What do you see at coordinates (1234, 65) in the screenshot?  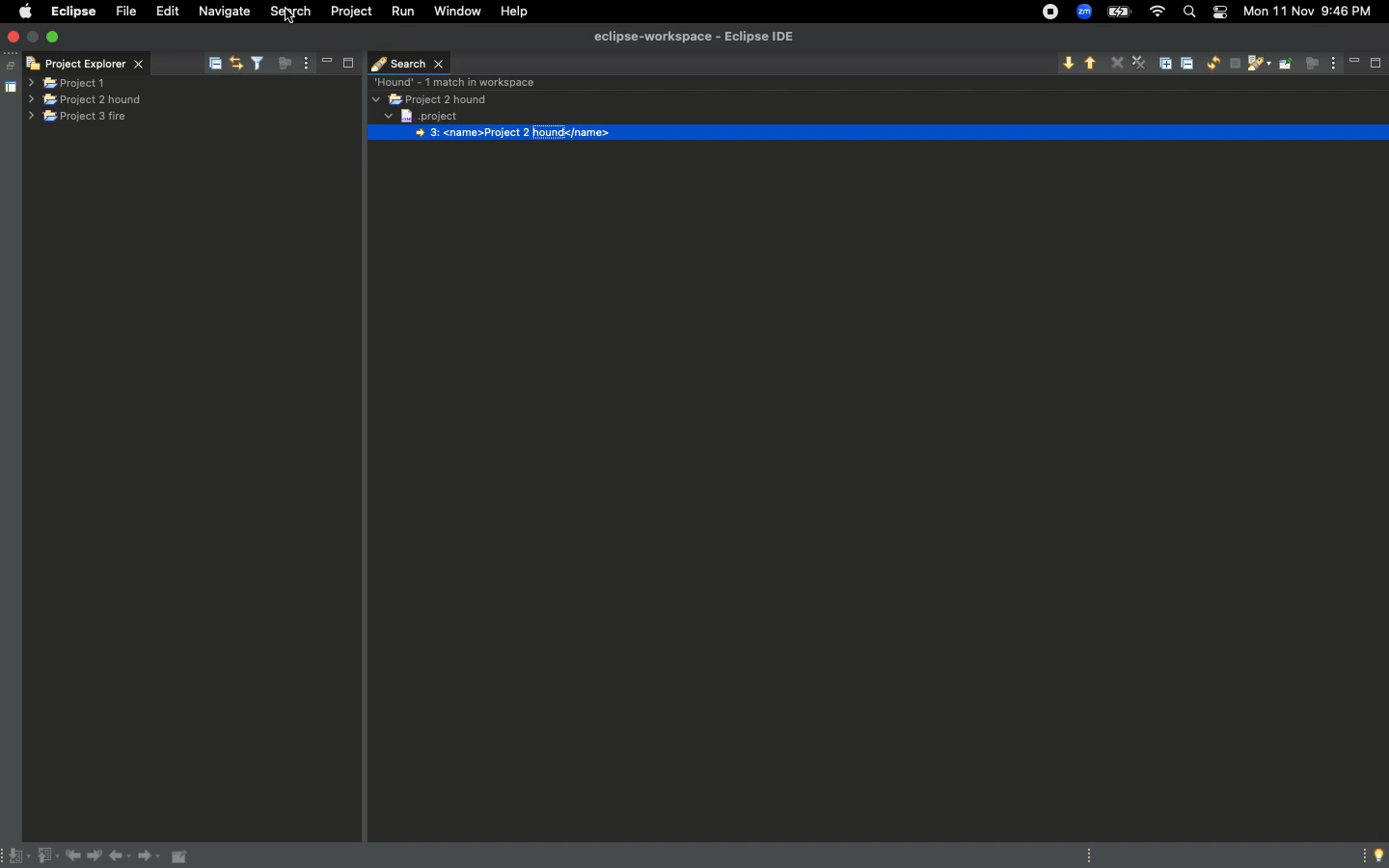 I see `Cancel current search` at bounding box center [1234, 65].